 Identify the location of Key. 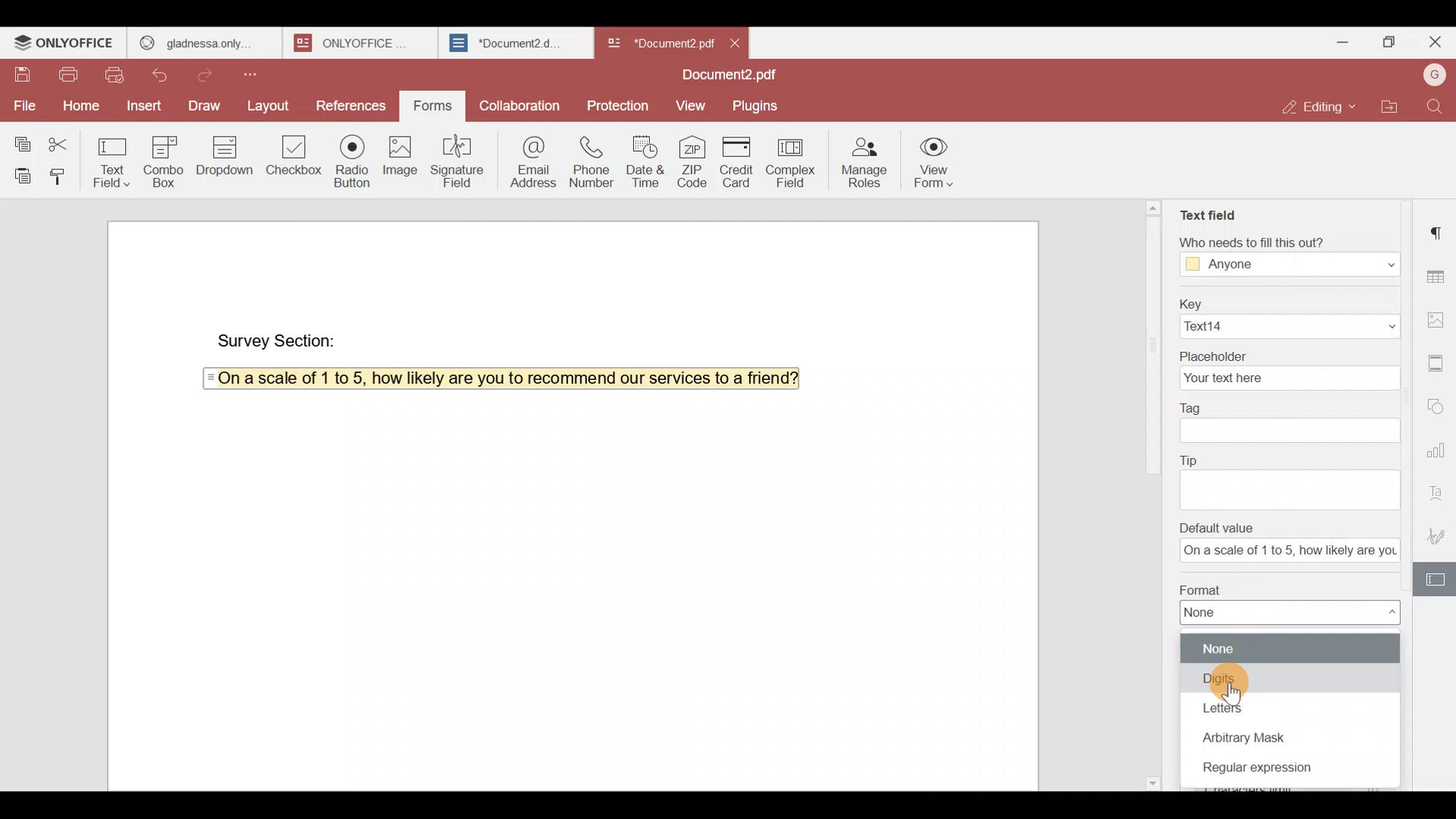
(1284, 301).